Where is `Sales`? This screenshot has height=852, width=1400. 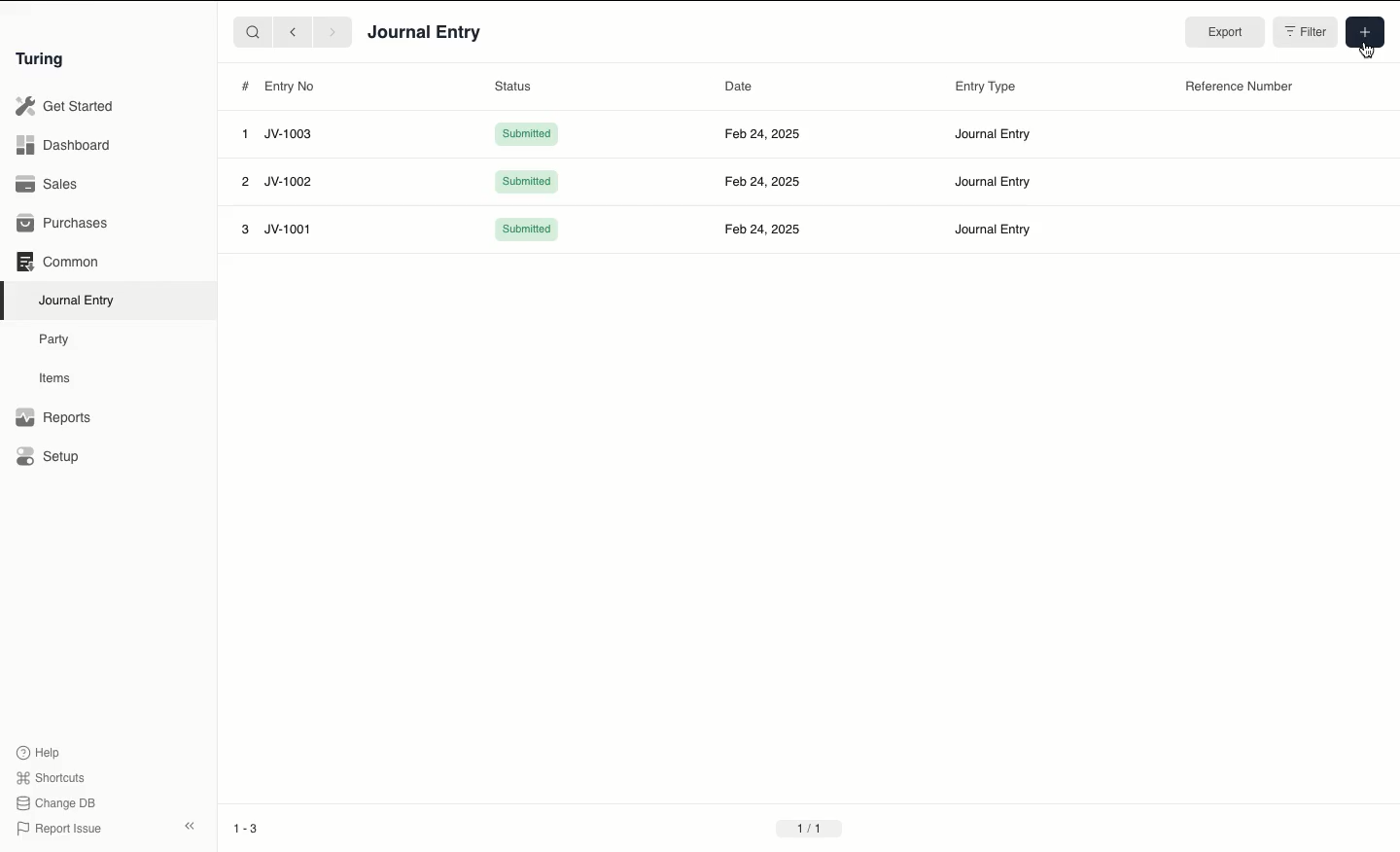 Sales is located at coordinates (50, 184).